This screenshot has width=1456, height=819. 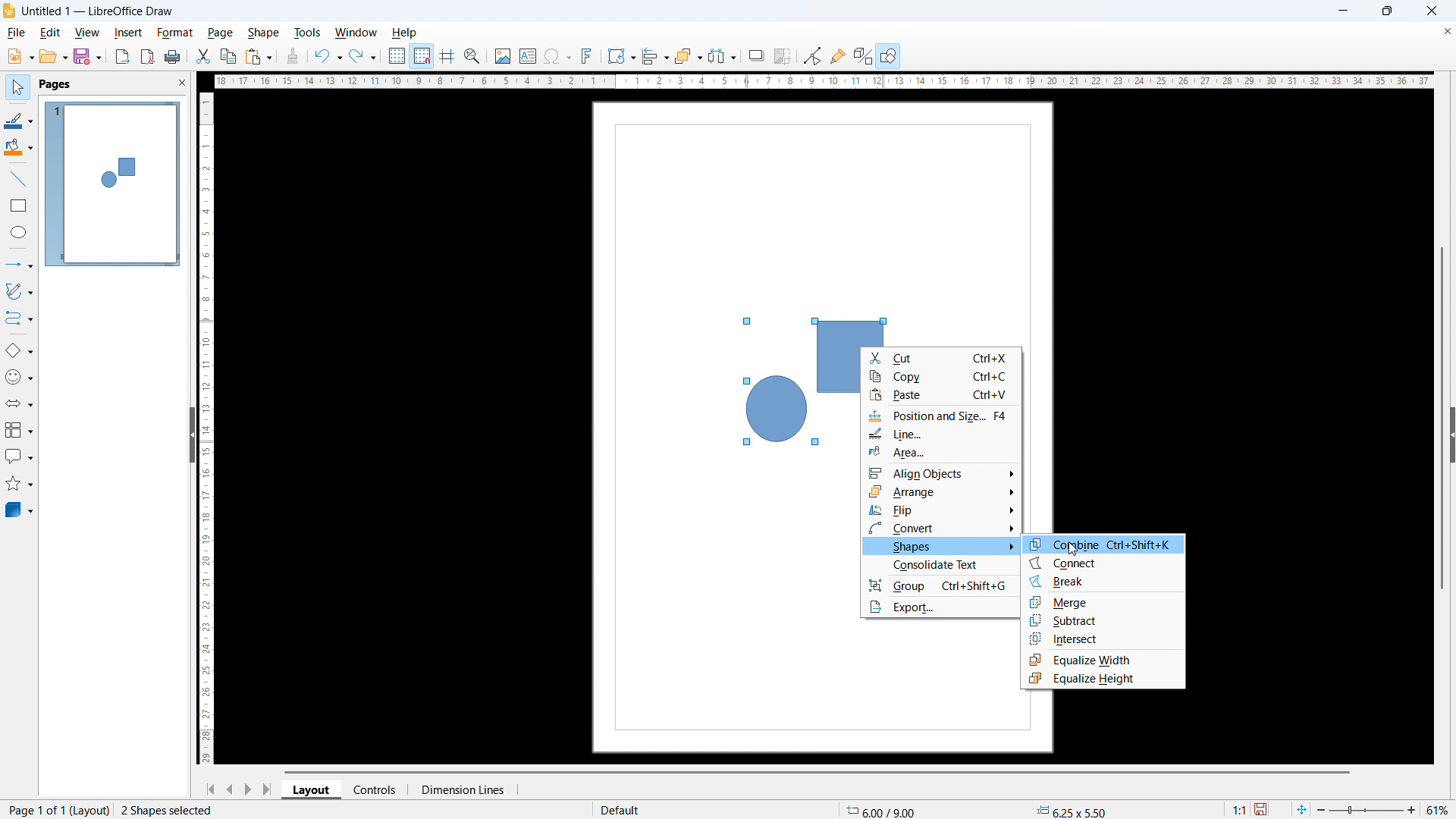 What do you see at coordinates (943, 357) in the screenshot?
I see `cut` at bounding box center [943, 357].